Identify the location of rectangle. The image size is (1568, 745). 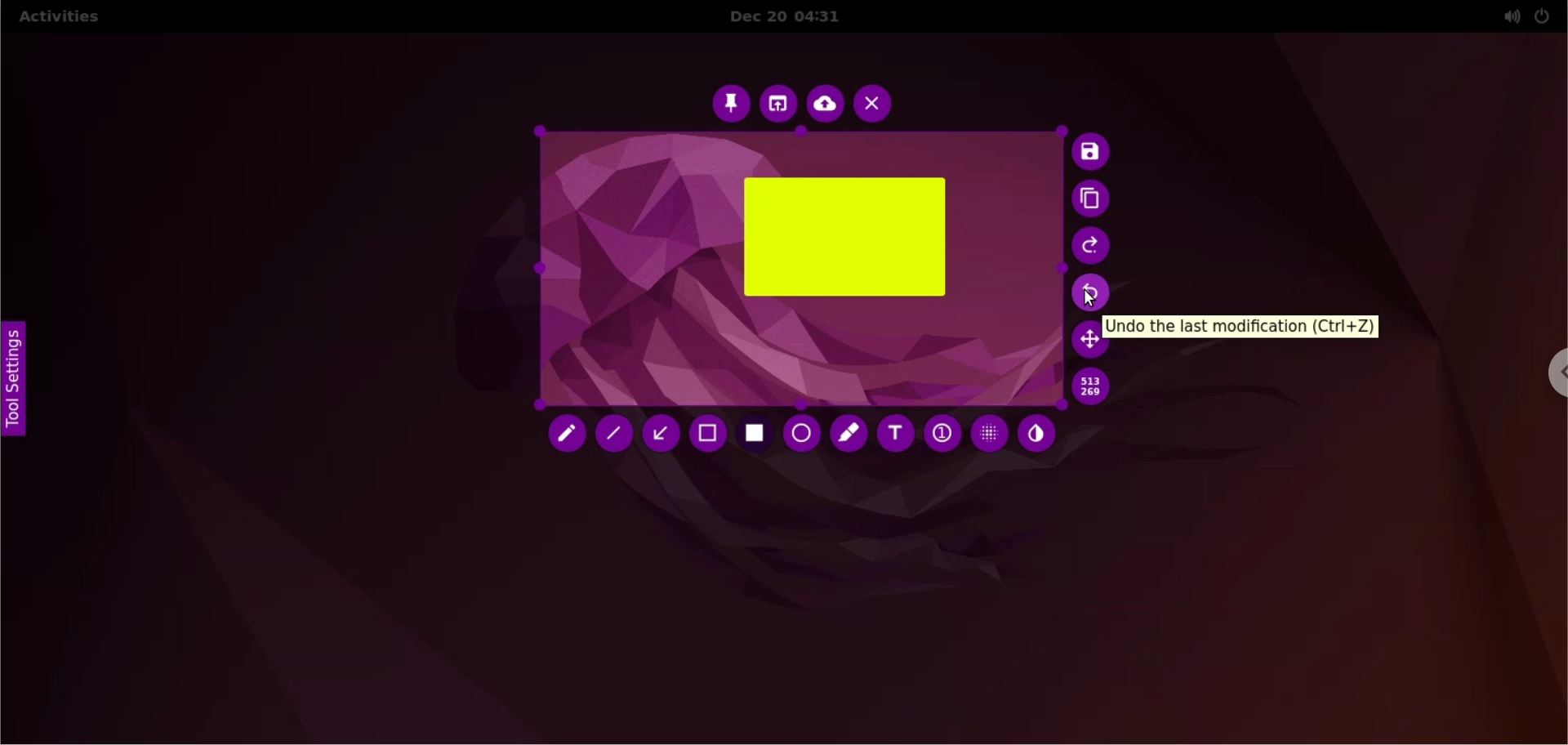
(844, 237).